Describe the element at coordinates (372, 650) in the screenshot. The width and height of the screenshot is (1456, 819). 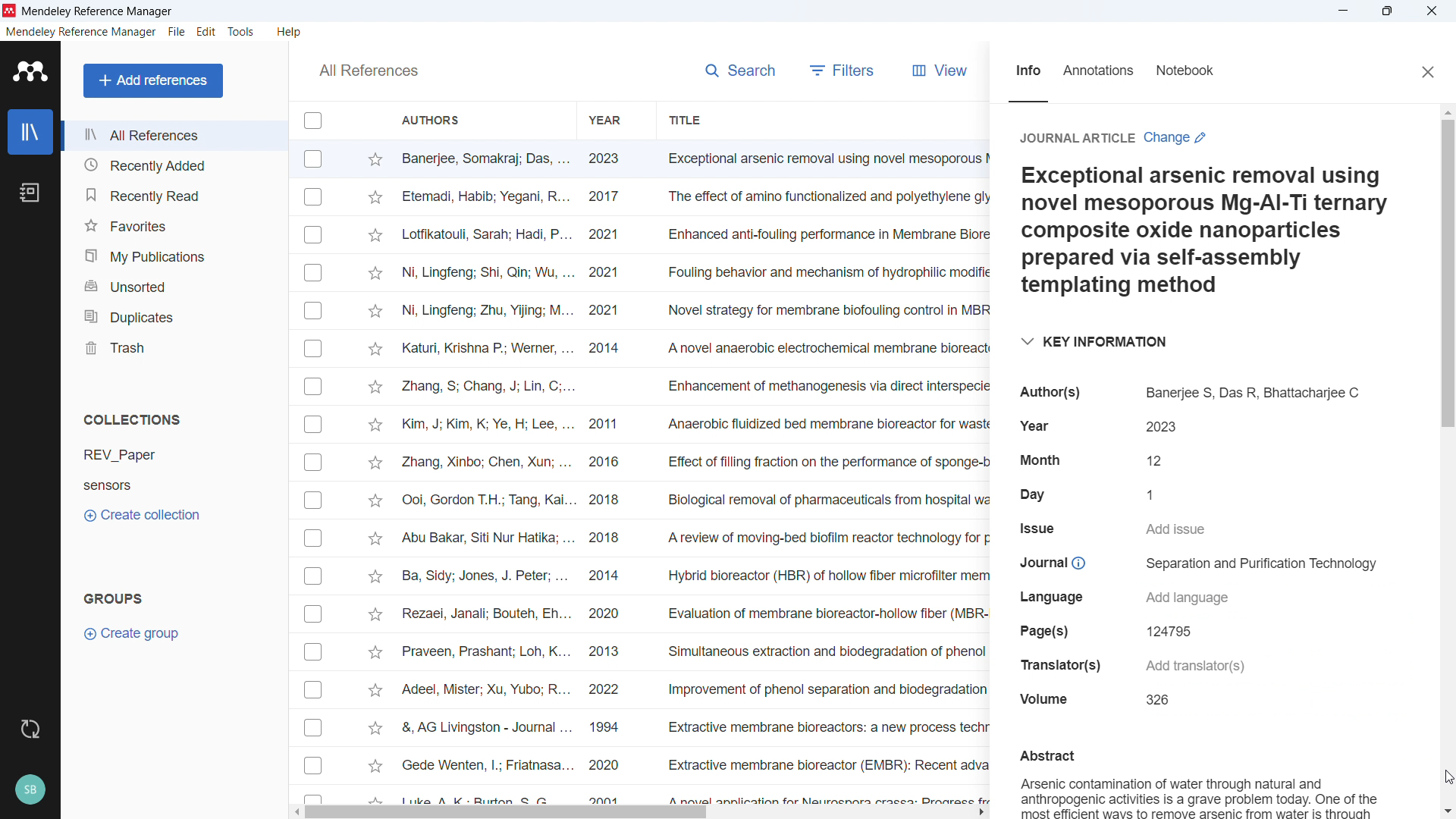
I see `click to starmark individuals entries` at that location.